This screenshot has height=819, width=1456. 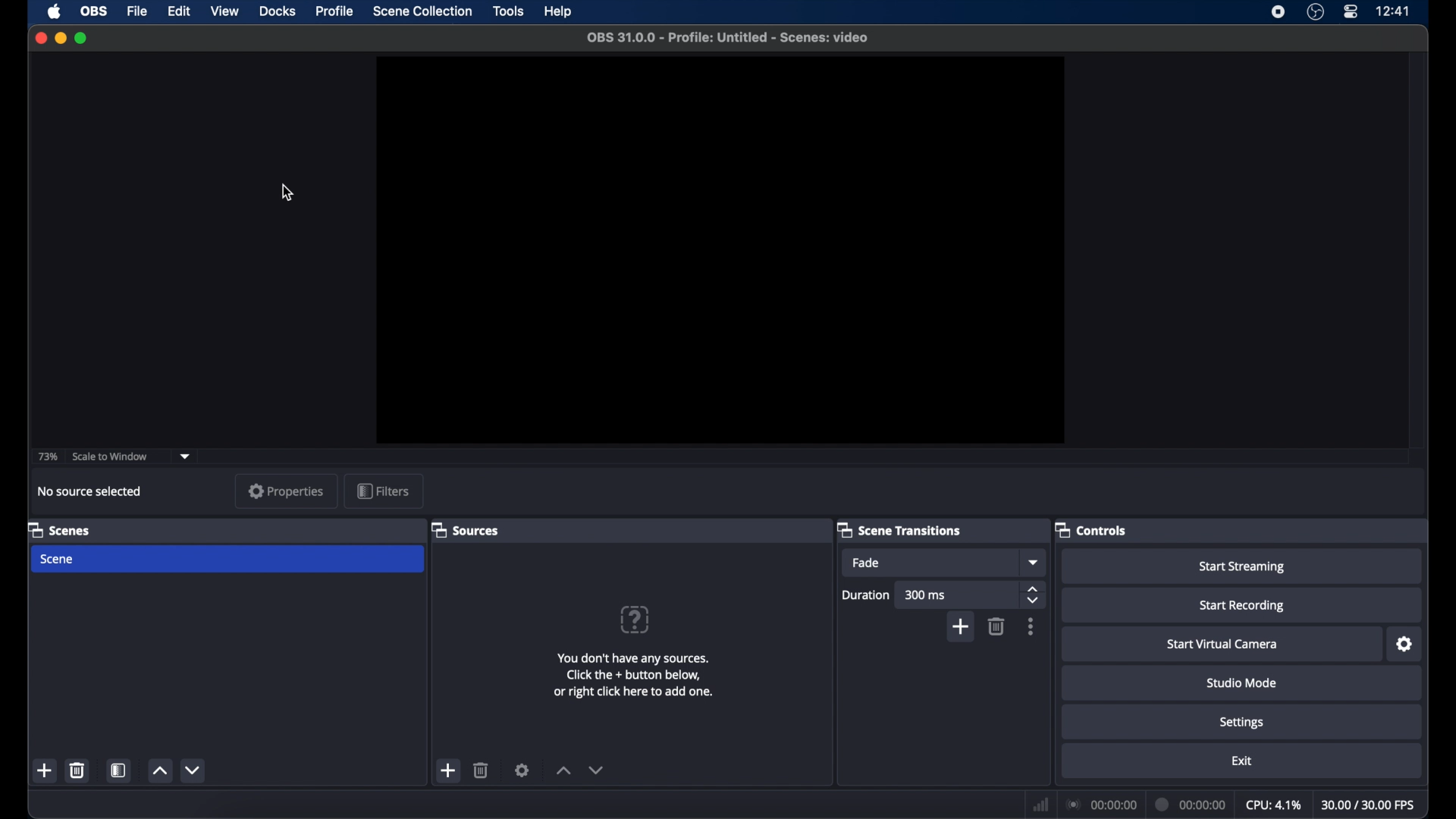 What do you see at coordinates (864, 596) in the screenshot?
I see `Duration` at bounding box center [864, 596].